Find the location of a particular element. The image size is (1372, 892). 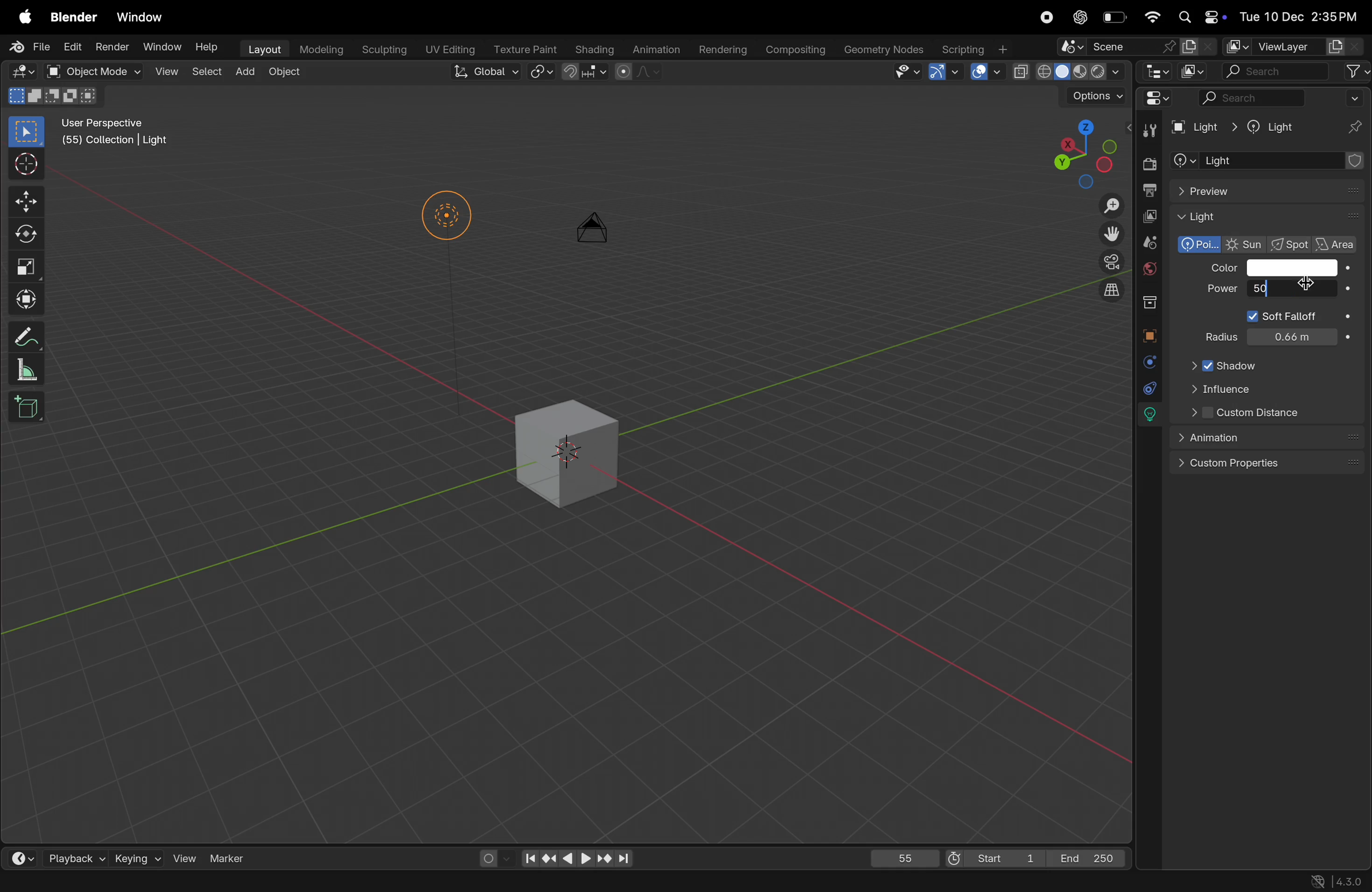

blender is located at coordinates (74, 16).